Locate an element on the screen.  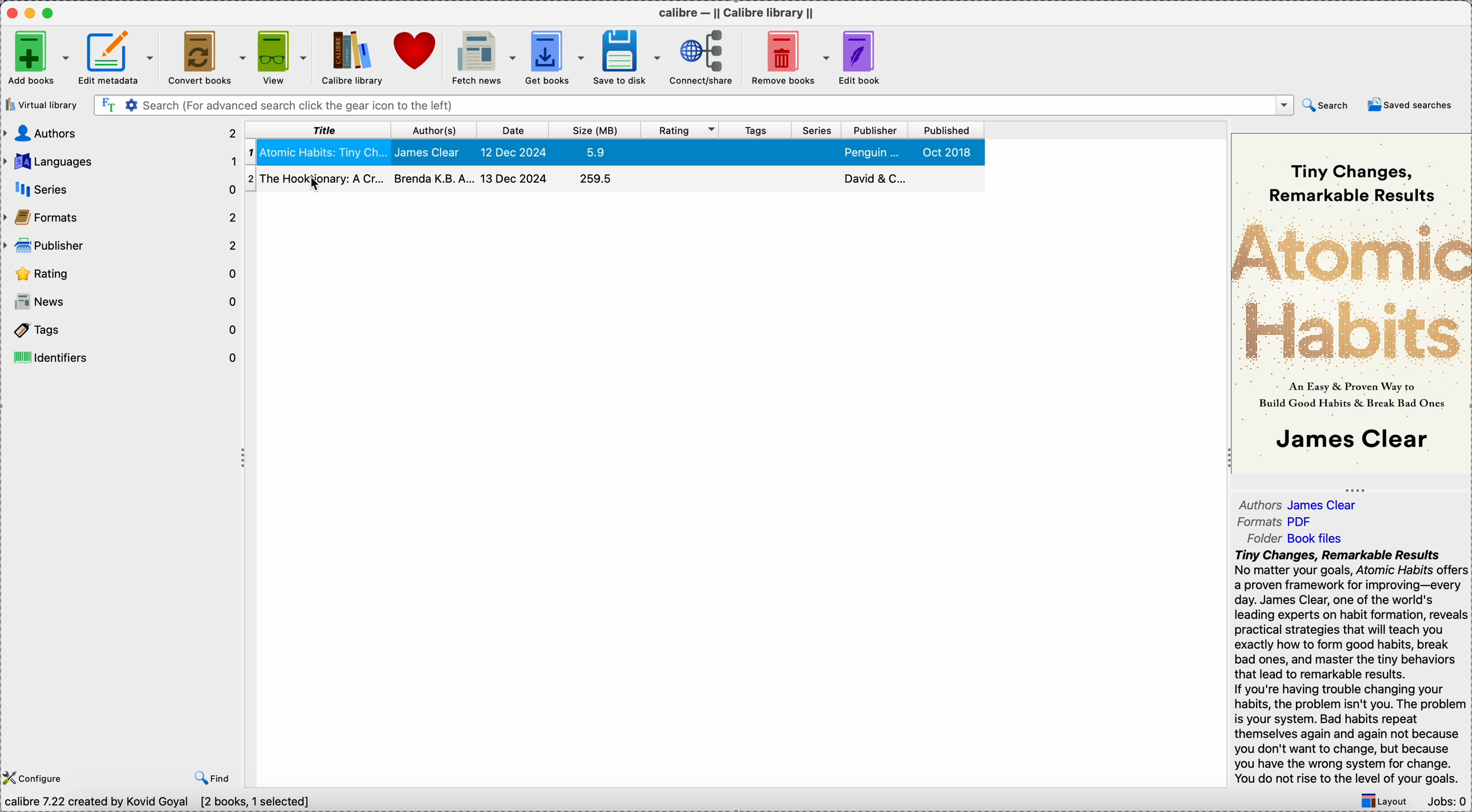
Atomic Habits book details selected is located at coordinates (622, 154).